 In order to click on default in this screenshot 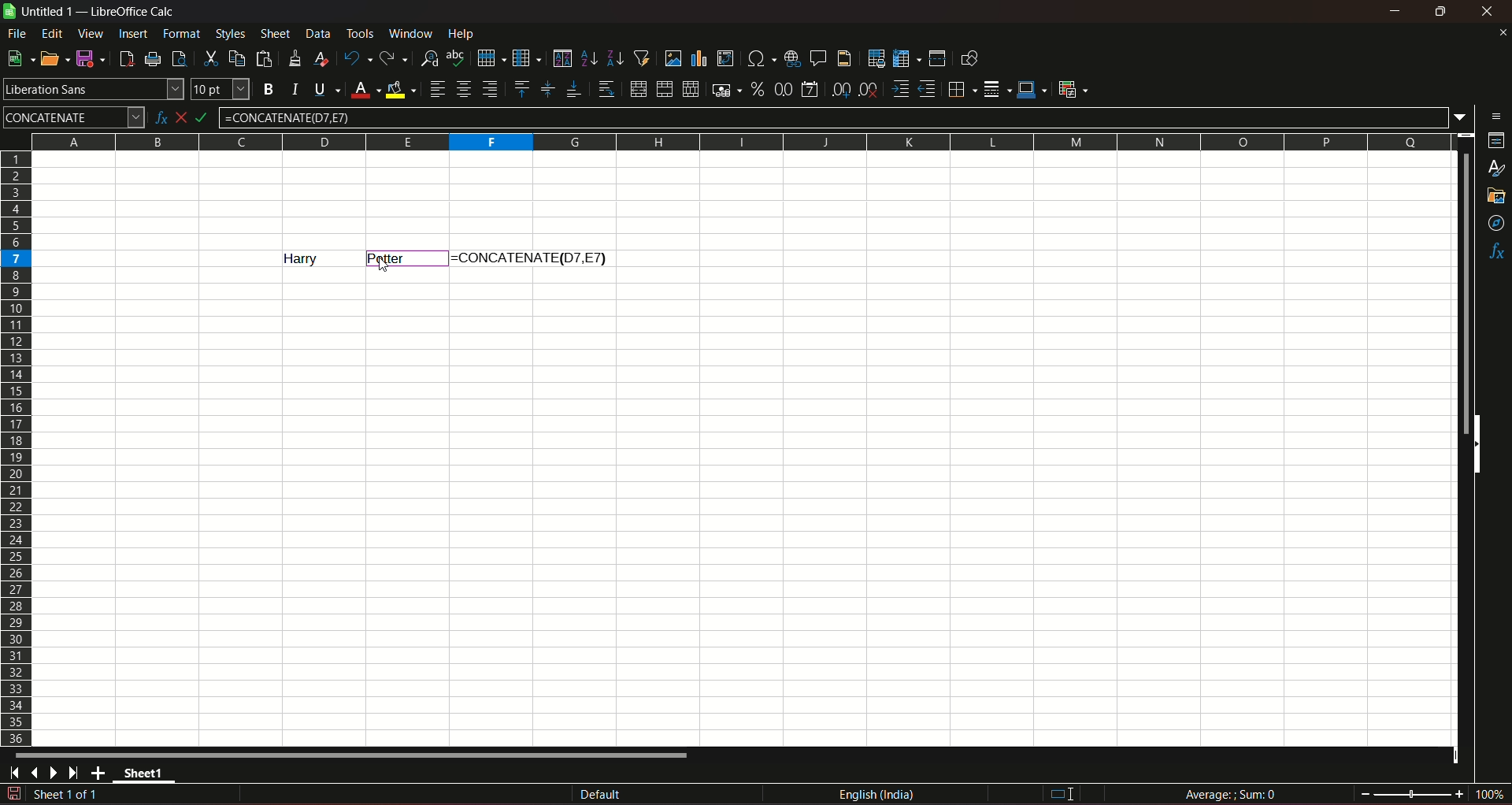, I will do `click(601, 796)`.